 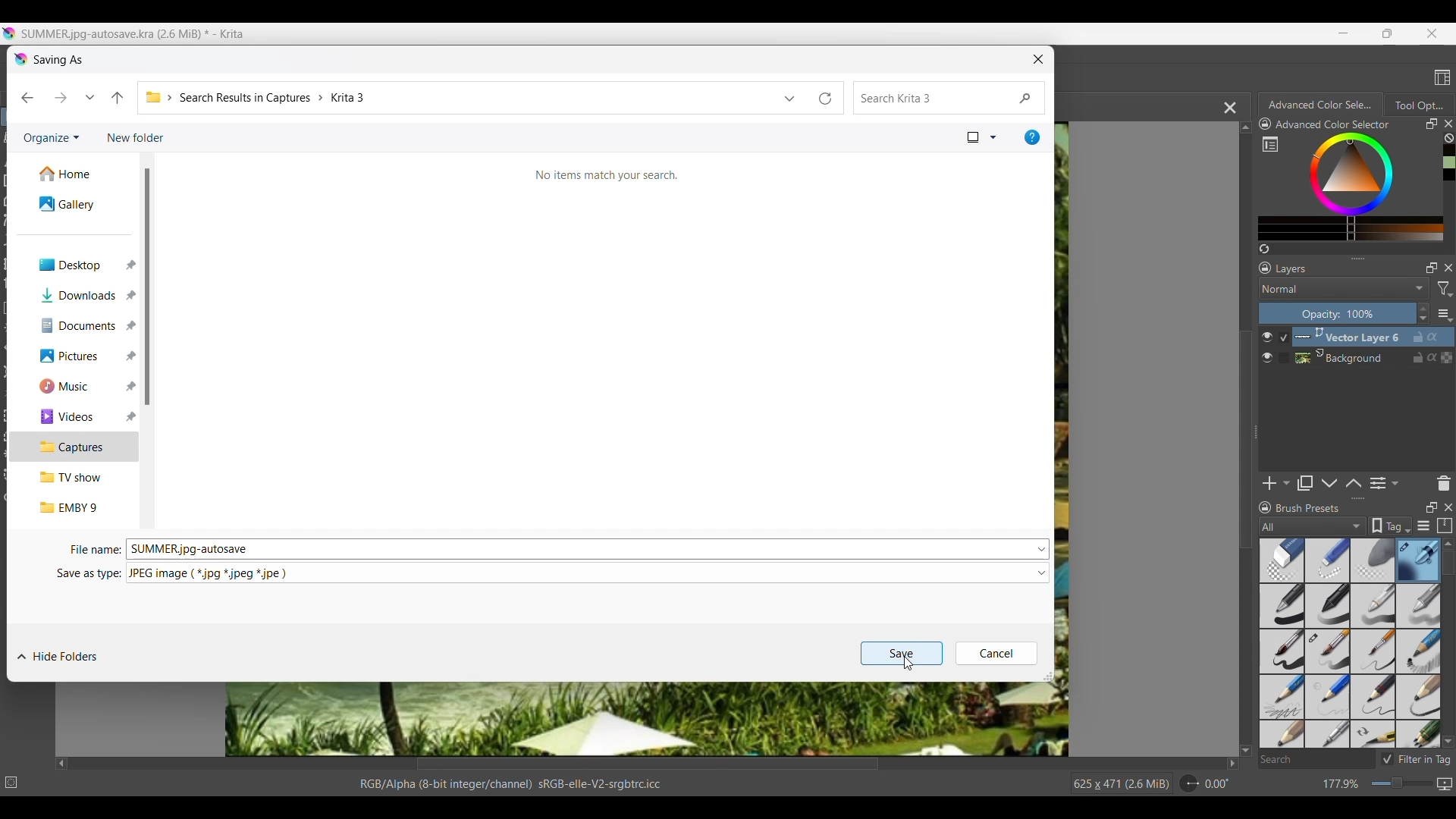 I want to click on Desktop folder, so click(x=75, y=265).